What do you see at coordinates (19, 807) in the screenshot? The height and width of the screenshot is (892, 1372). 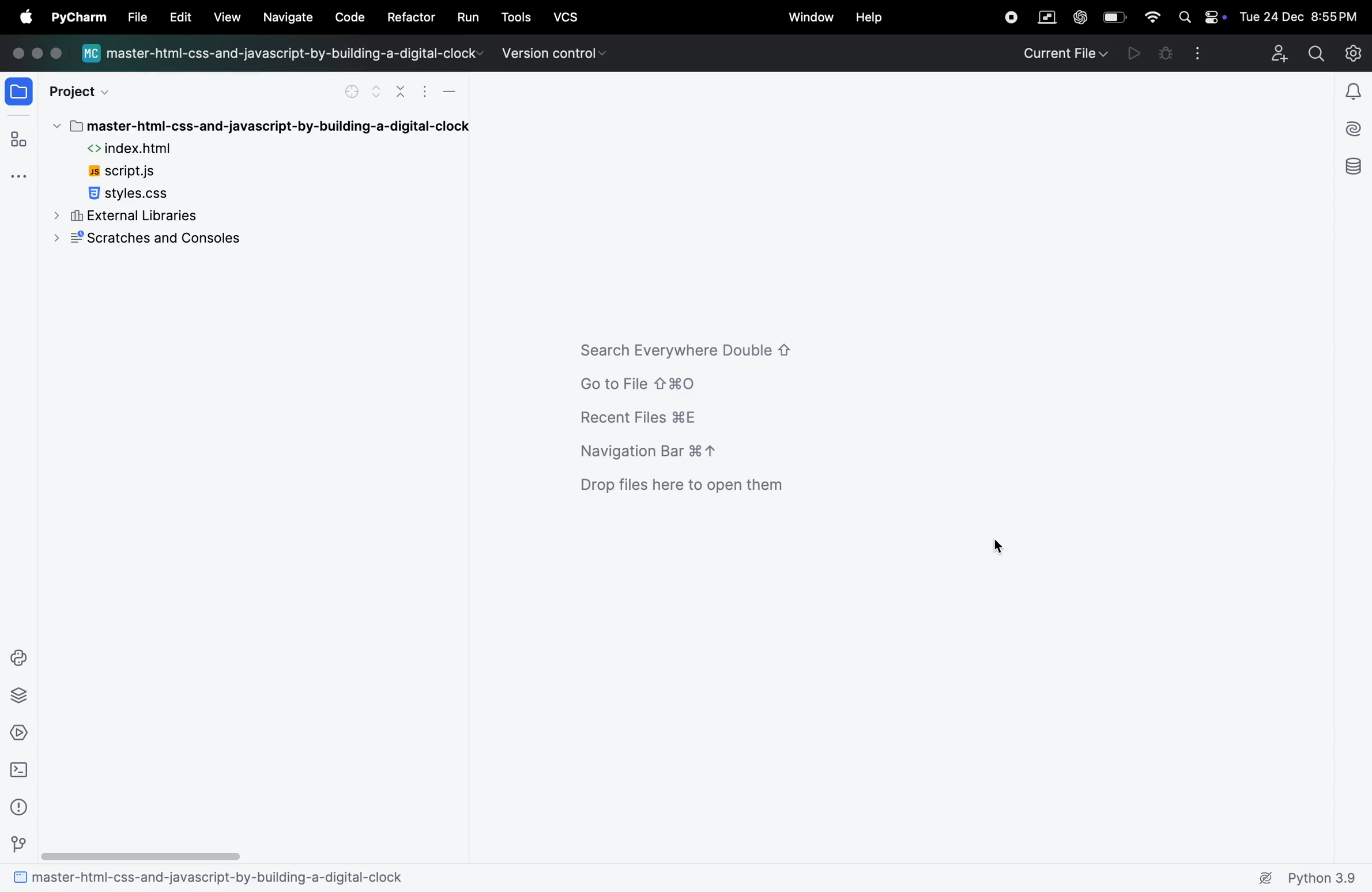 I see `problems` at bounding box center [19, 807].